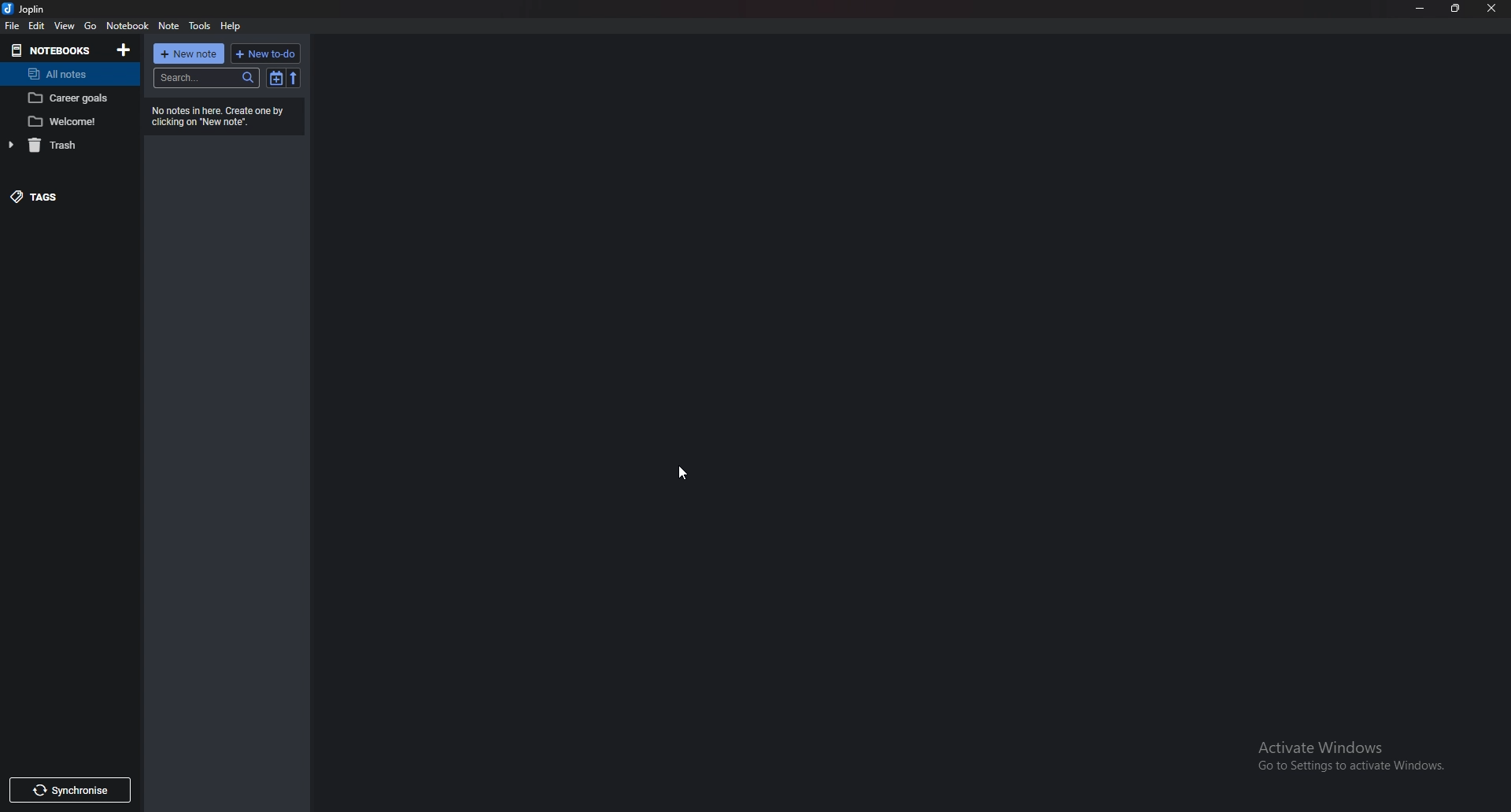 The image size is (1511, 812). I want to click on reverse sort order, so click(294, 78).